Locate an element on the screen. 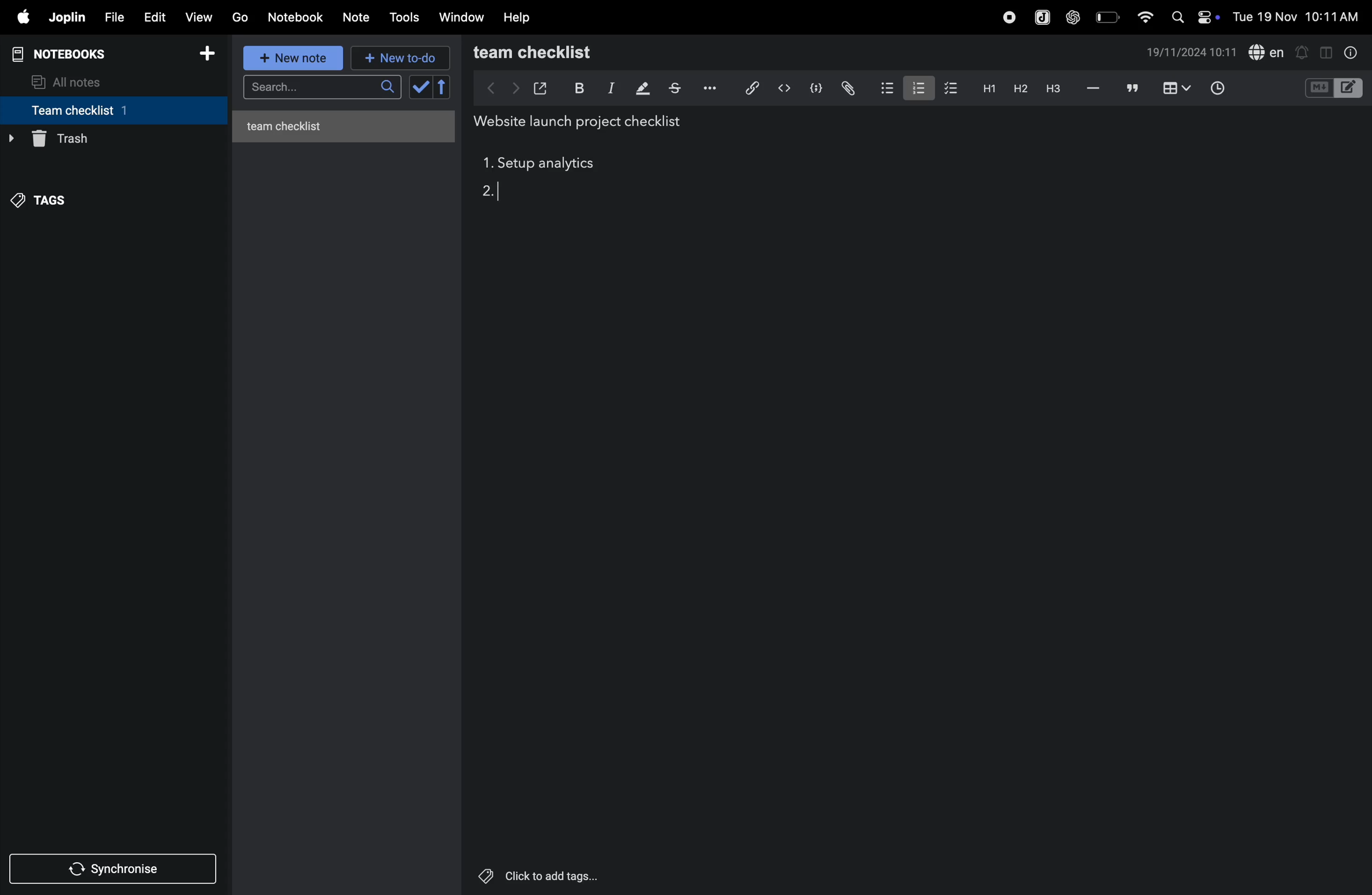 Image resolution: width=1372 pixels, height=895 pixels. spell check is located at coordinates (1268, 52).